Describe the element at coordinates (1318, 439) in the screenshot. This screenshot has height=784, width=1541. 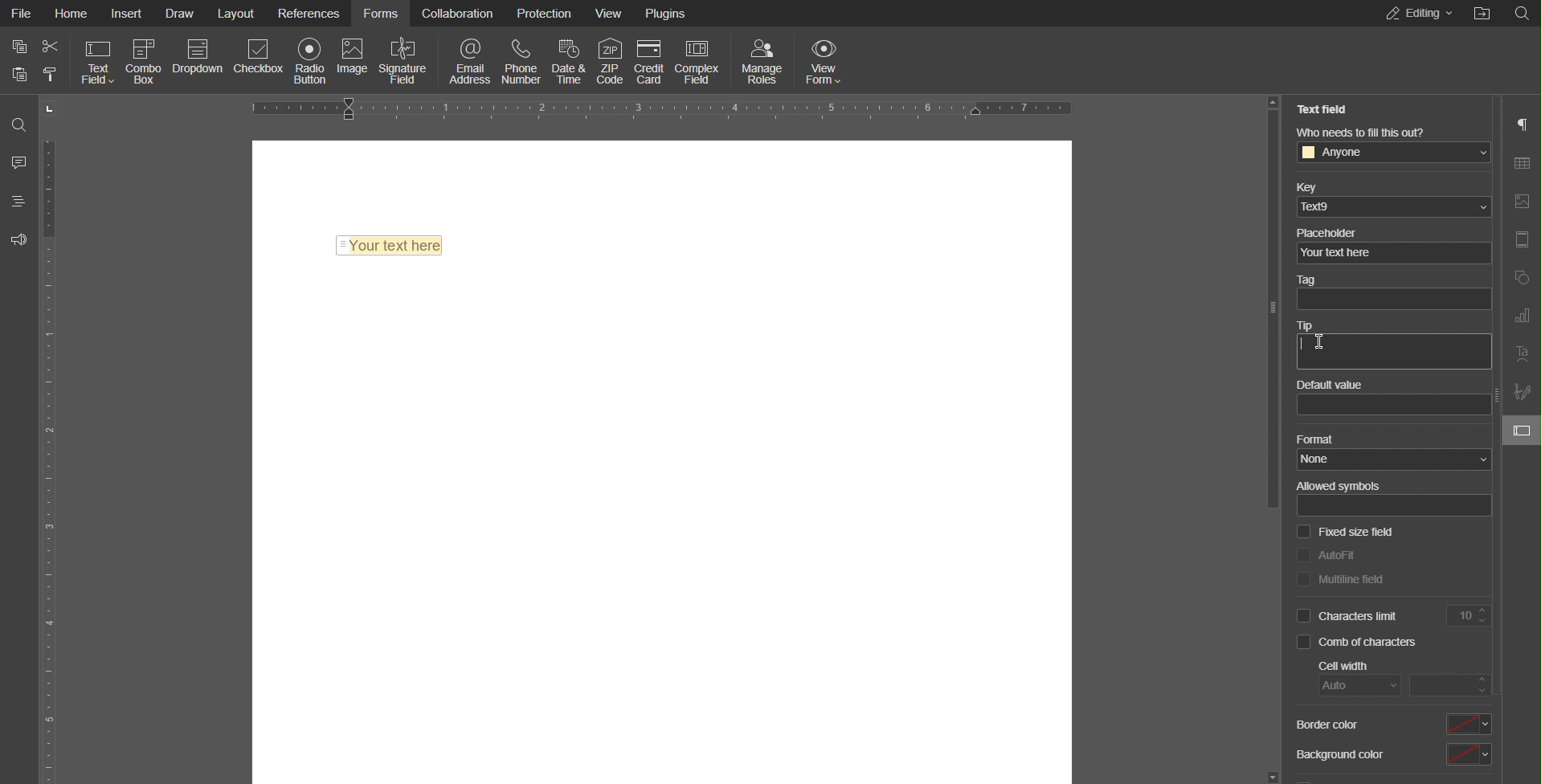
I see `Format` at that location.